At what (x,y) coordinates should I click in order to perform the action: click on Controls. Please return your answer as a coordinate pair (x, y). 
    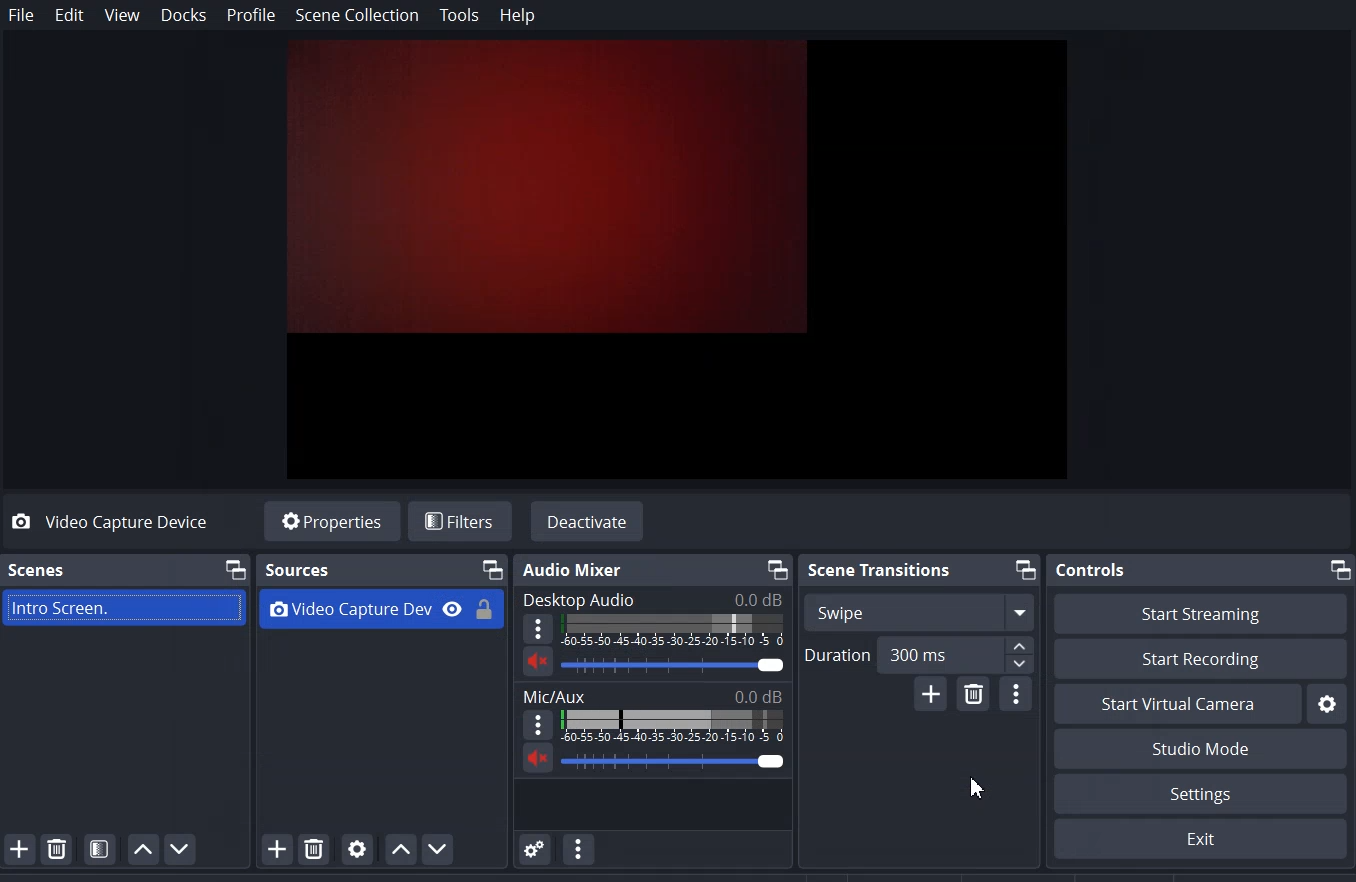
    Looking at the image, I should click on (1091, 569).